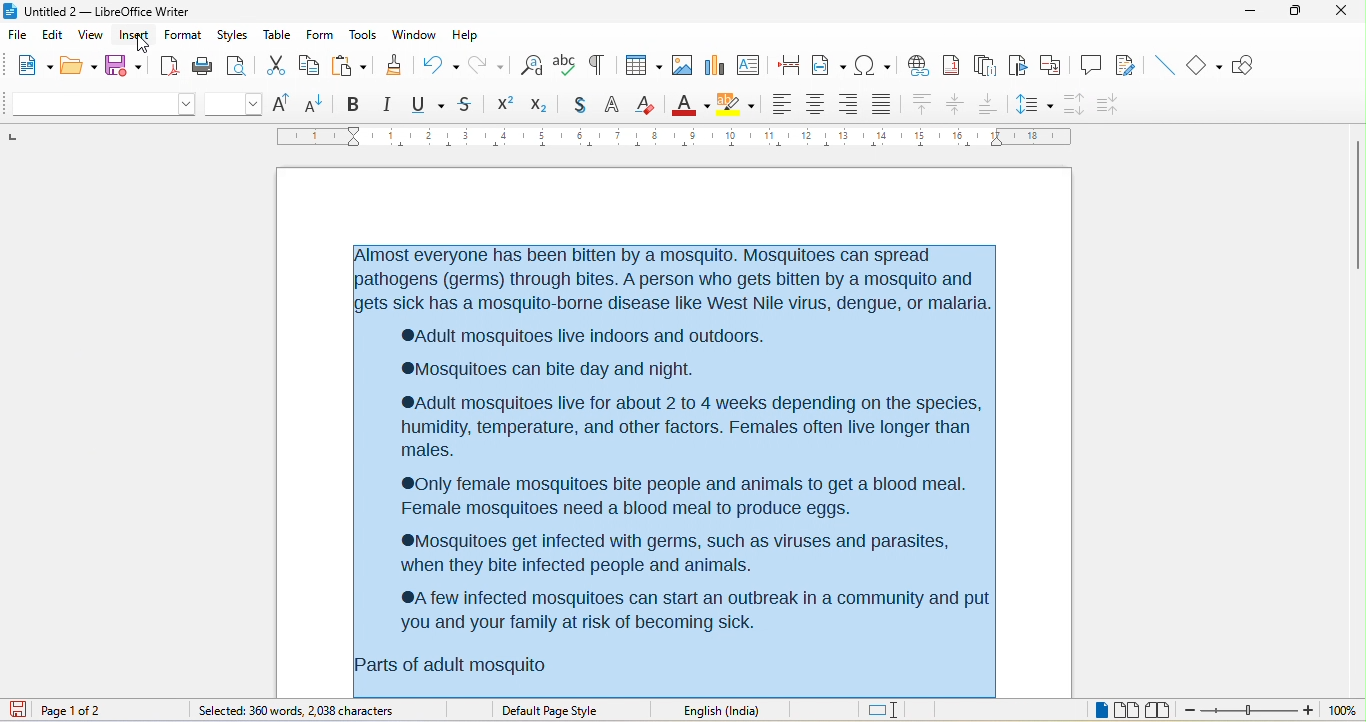 This screenshot has height=722, width=1366. I want to click on undo, so click(436, 65).